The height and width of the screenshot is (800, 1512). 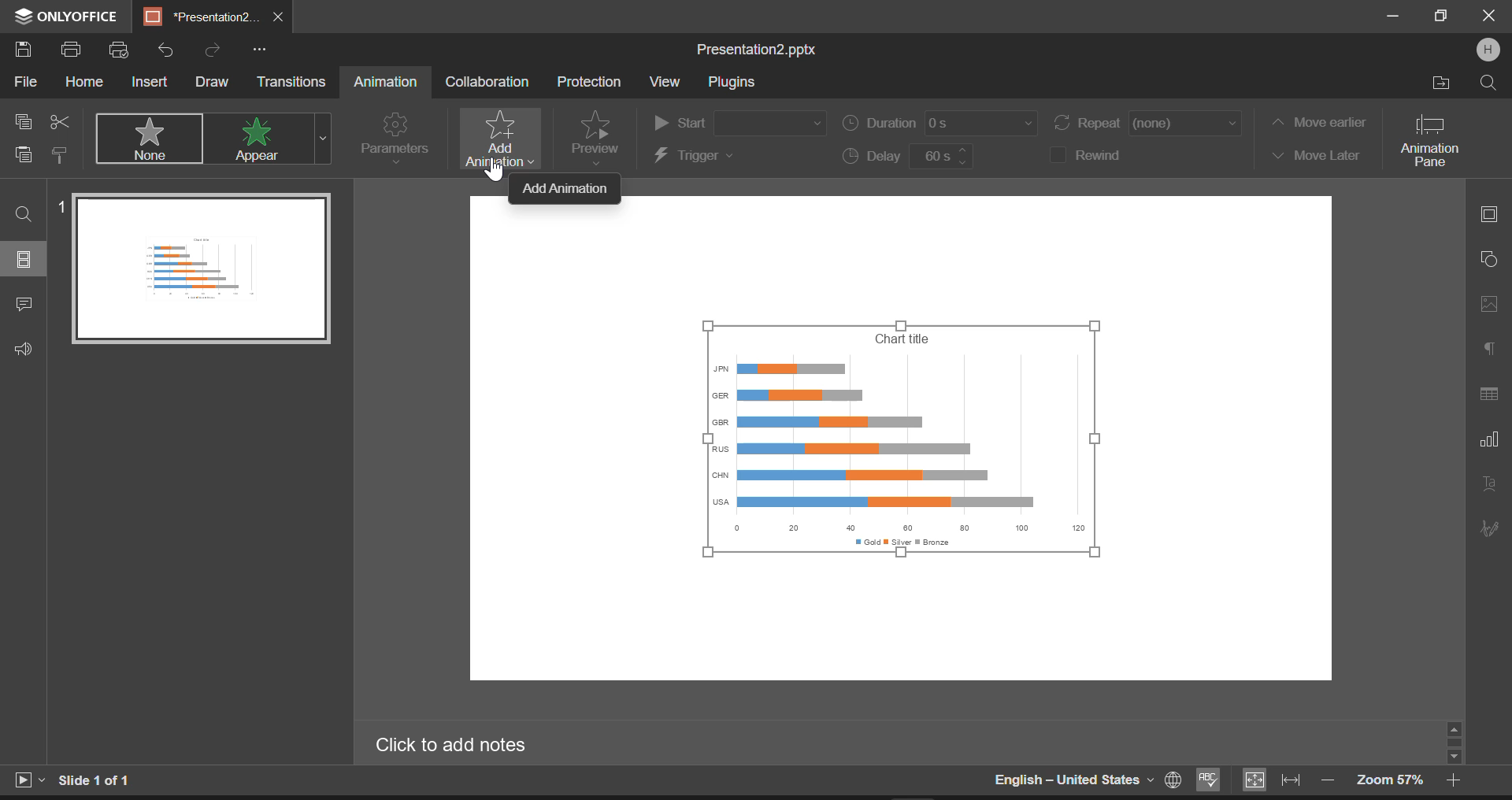 I want to click on ONLYOFFICE, so click(x=63, y=17).